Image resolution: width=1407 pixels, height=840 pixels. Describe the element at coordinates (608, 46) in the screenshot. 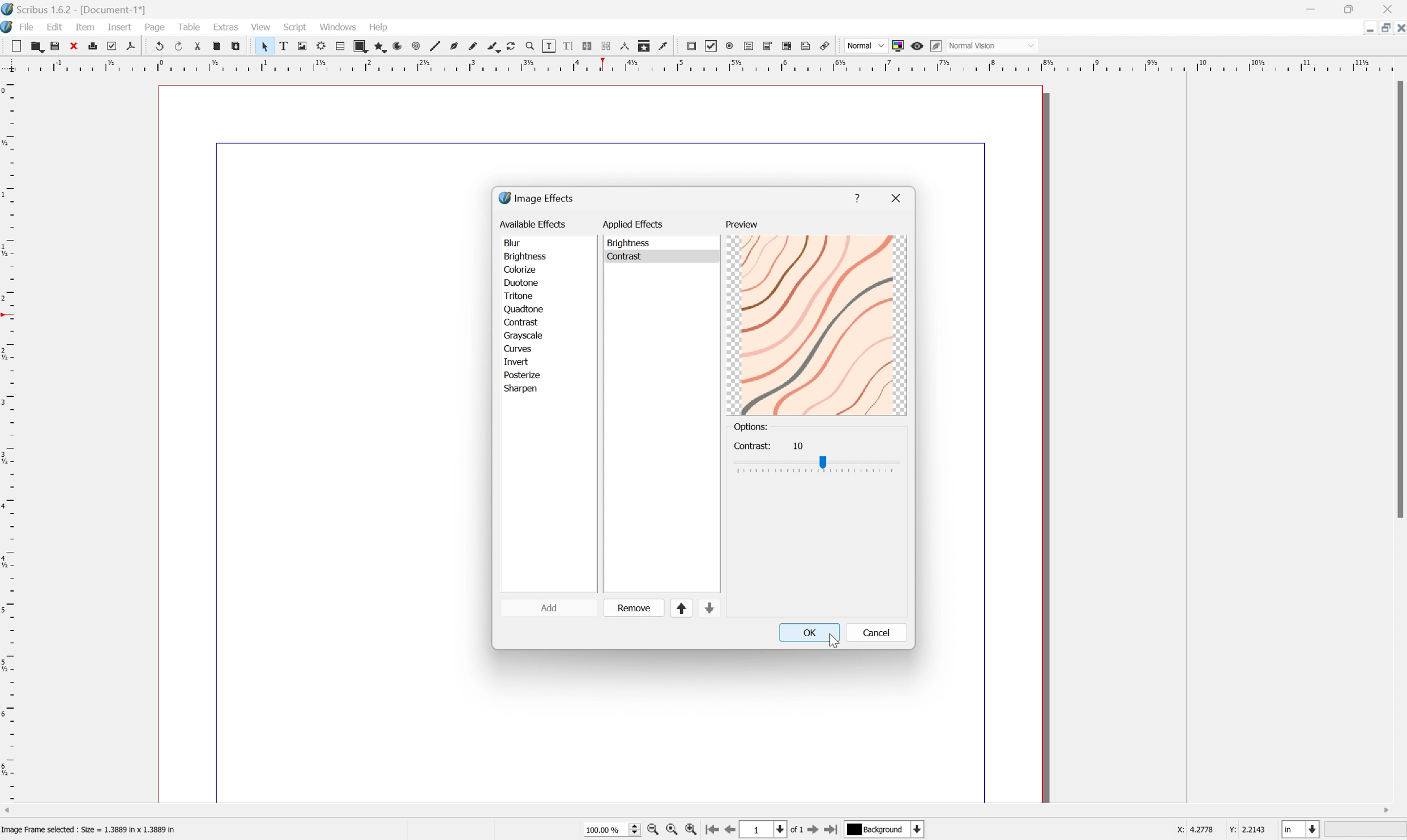

I see `Unlink text frames` at that location.